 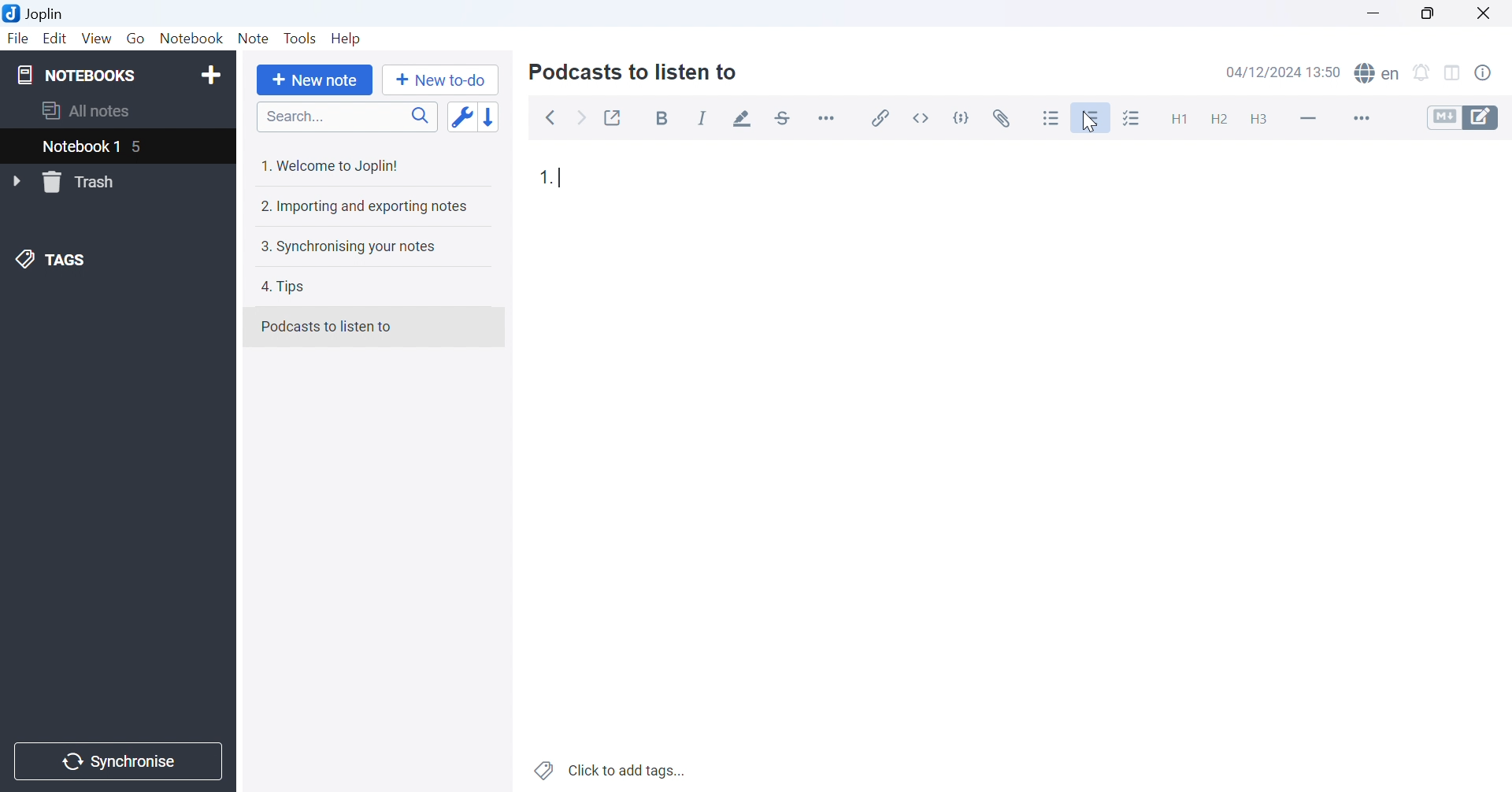 I want to click on TAGS, so click(x=53, y=262).